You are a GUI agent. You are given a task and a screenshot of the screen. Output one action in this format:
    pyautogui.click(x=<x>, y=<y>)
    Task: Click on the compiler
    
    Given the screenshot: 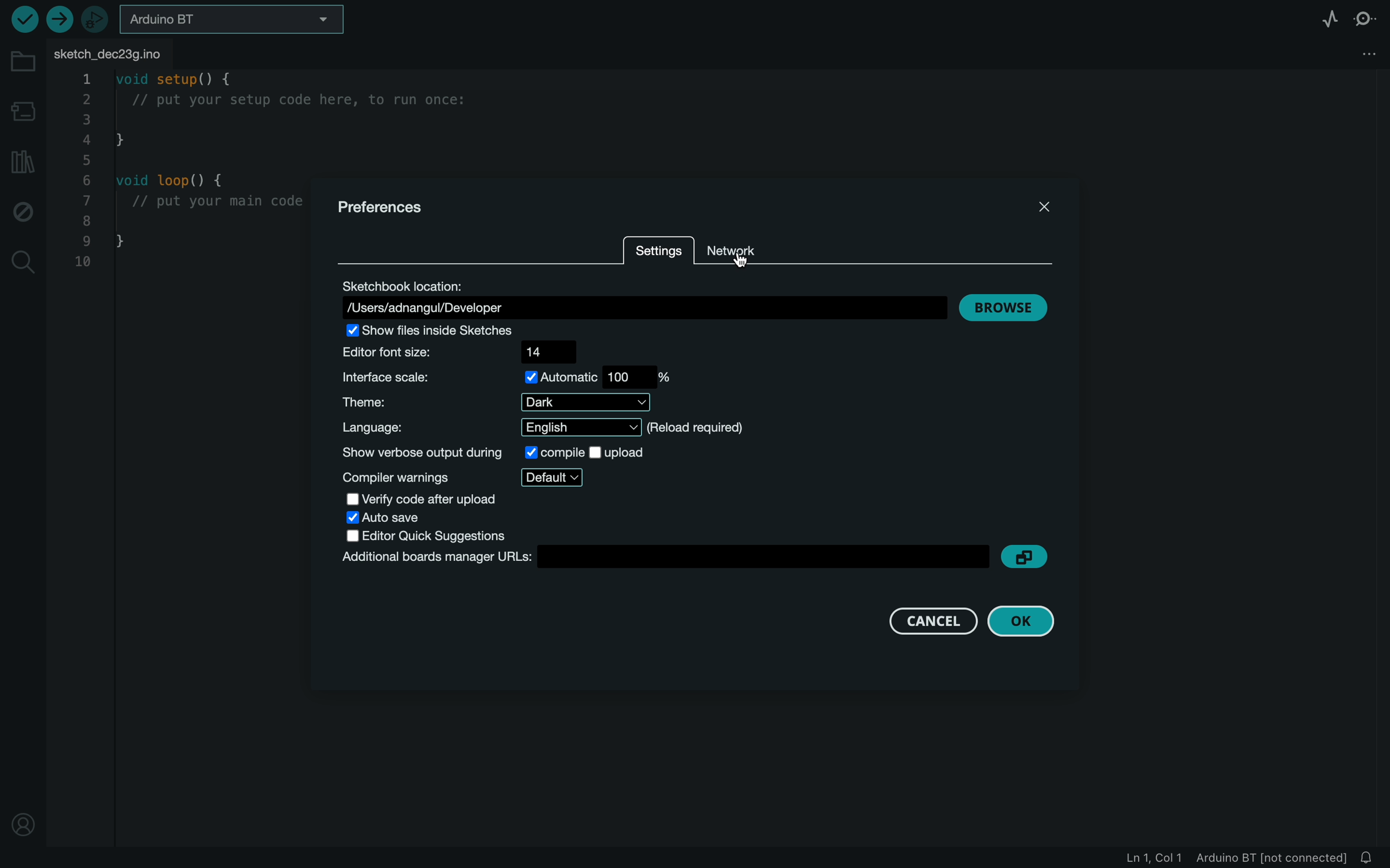 What is the action you would take?
    pyautogui.click(x=464, y=477)
    